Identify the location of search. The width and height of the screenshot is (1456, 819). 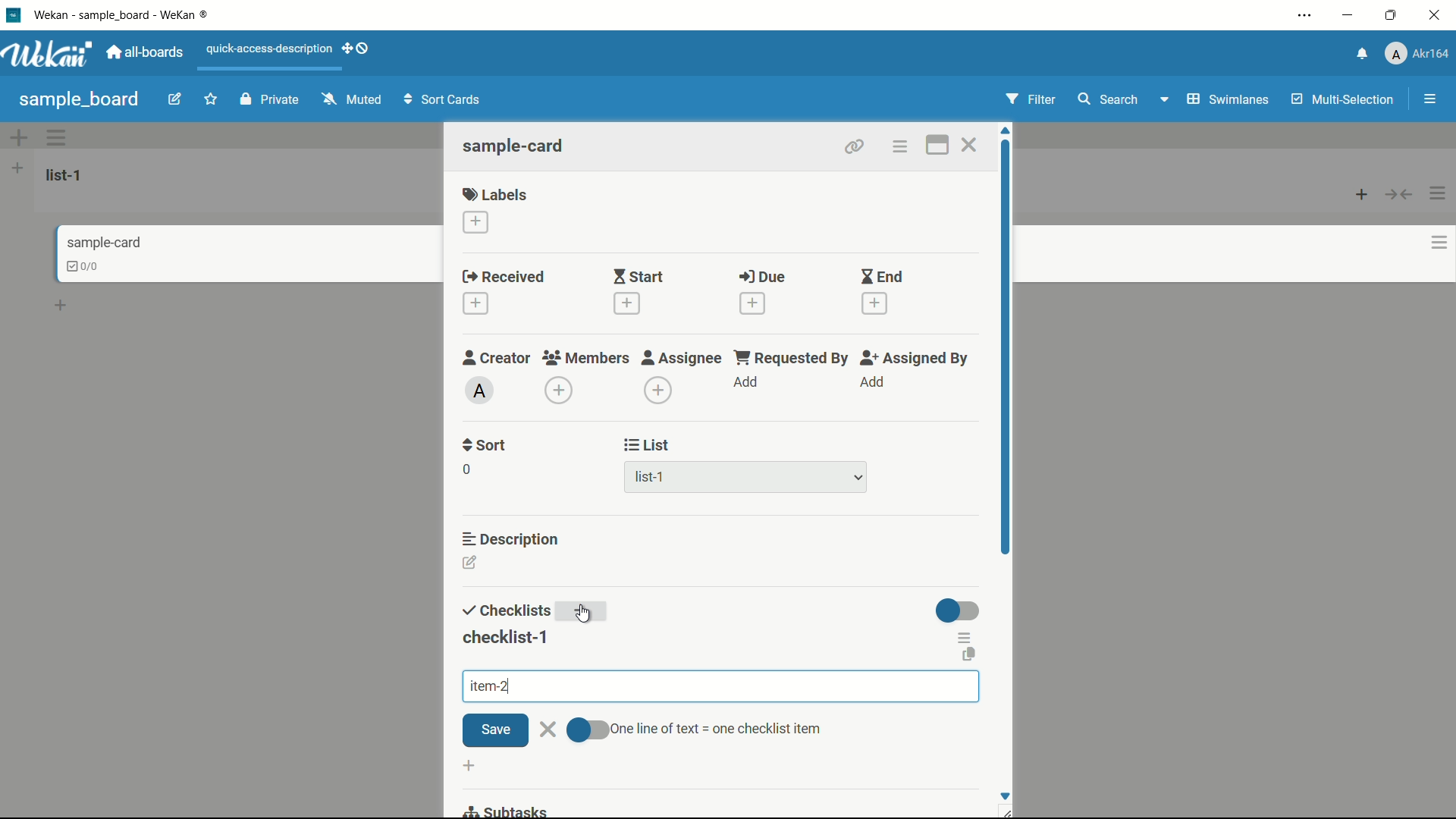
(1106, 99).